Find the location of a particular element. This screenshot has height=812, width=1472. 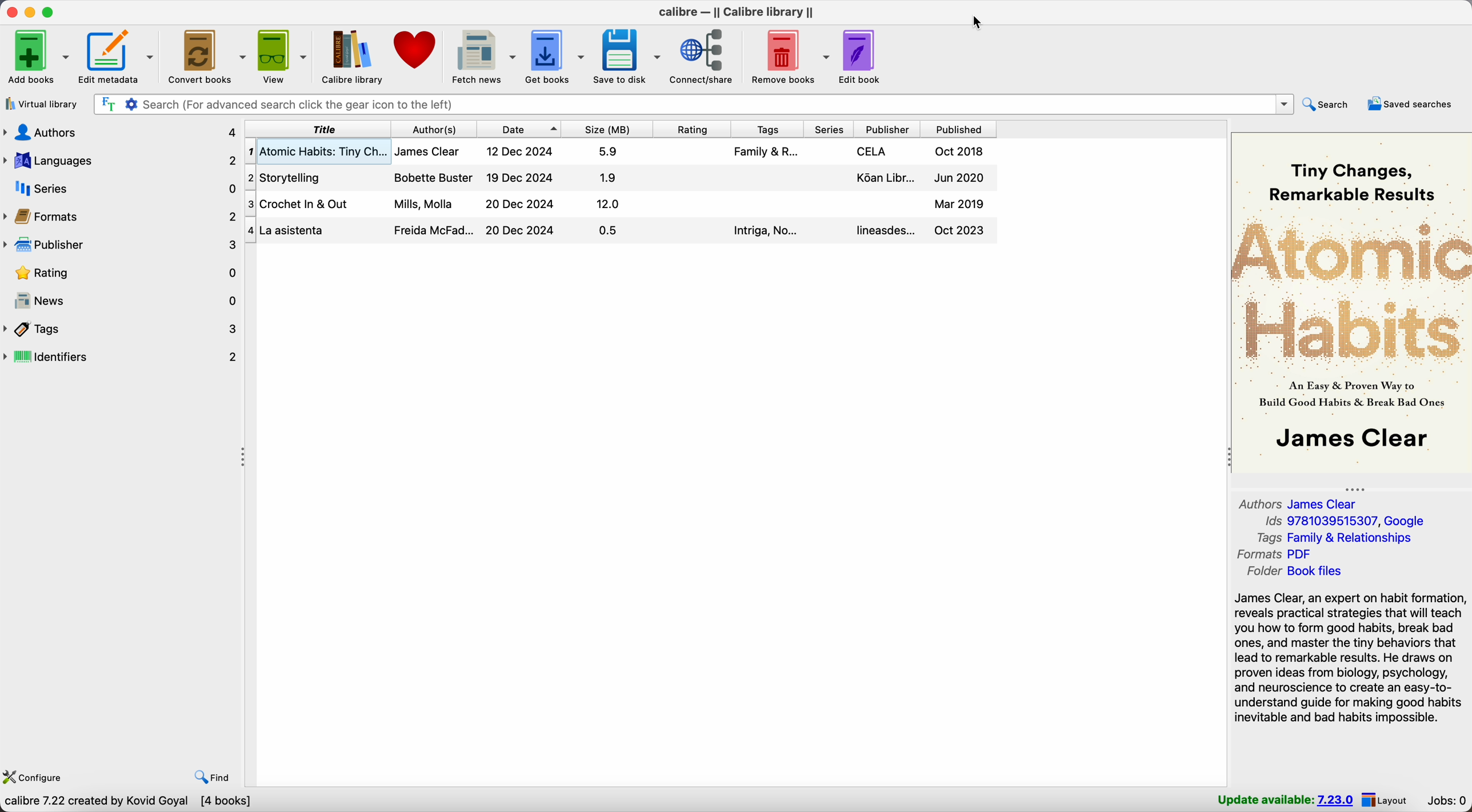

authors is located at coordinates (121, 131).